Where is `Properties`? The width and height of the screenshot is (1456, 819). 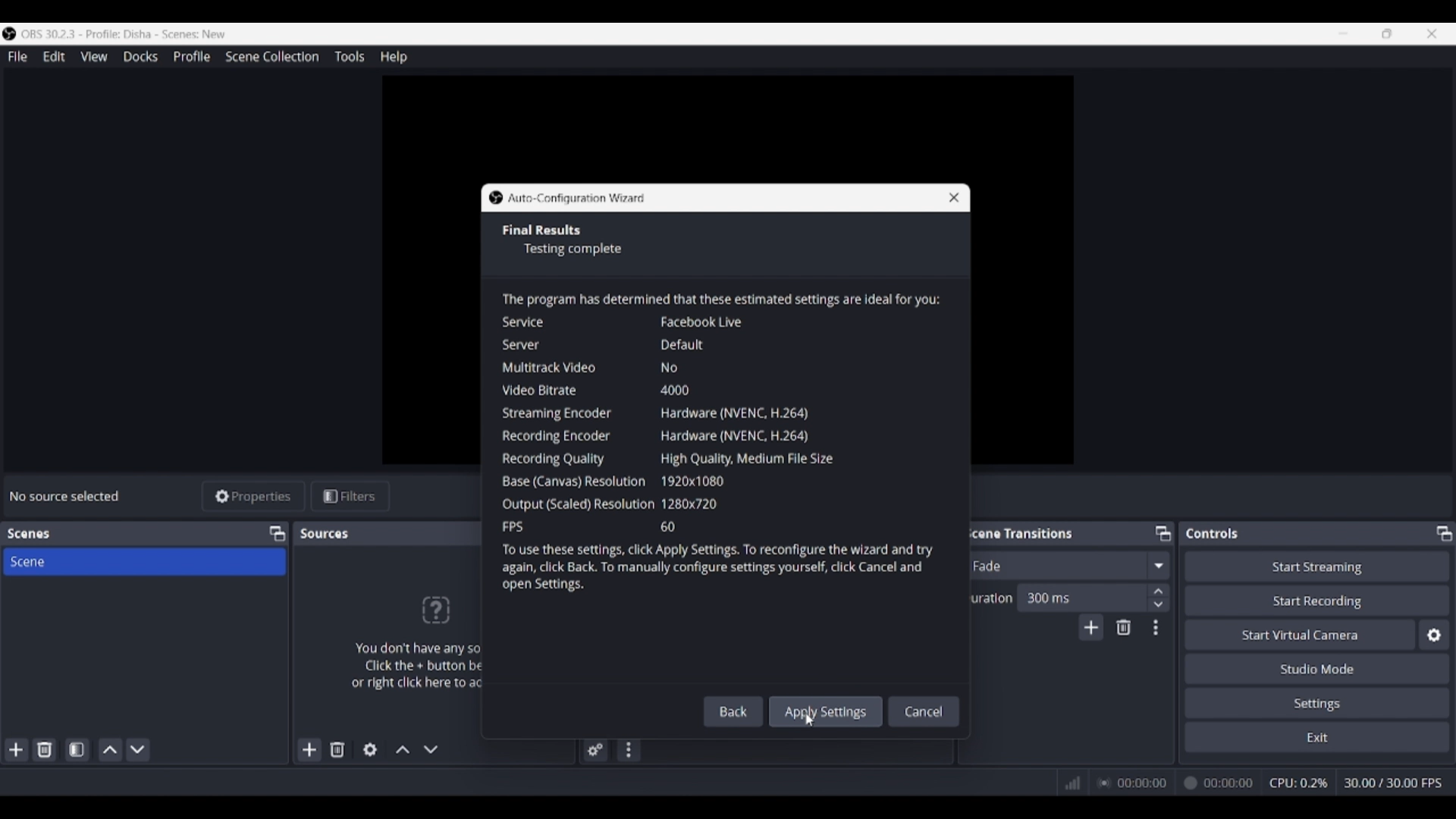 Properties is located at coordinates (254, 497).